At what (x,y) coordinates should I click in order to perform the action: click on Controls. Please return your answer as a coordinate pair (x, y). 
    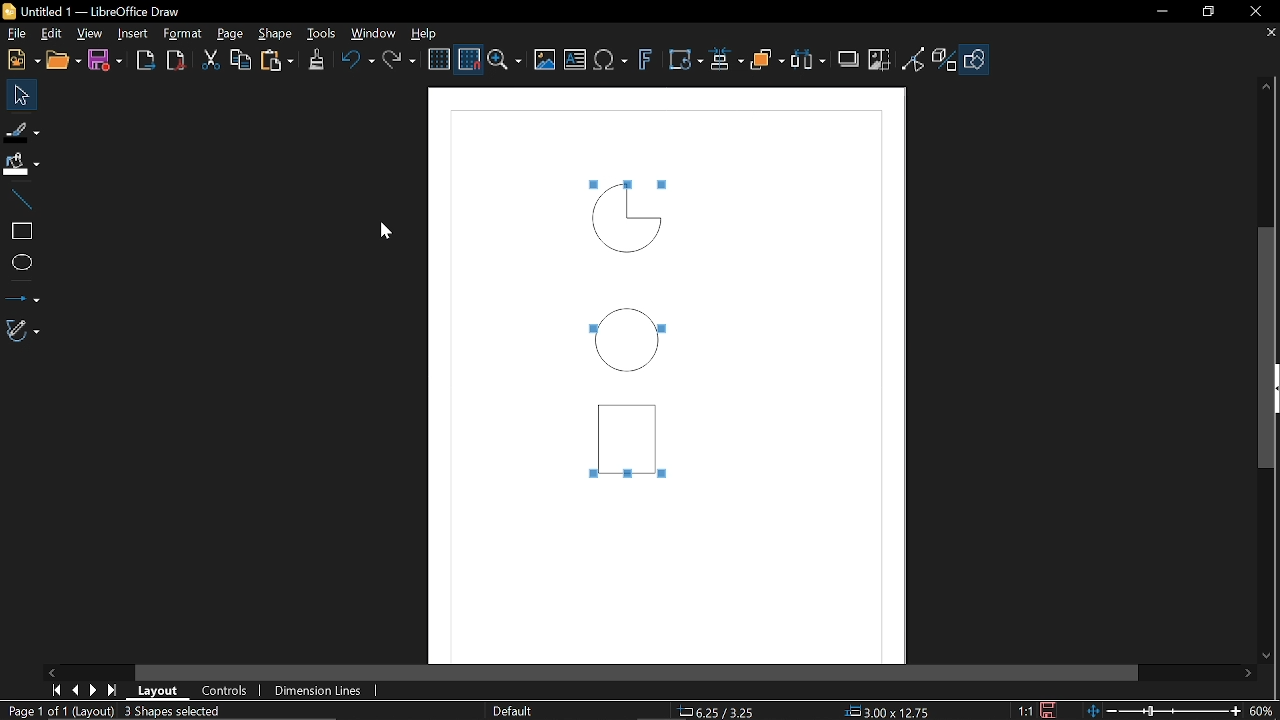
    Looking at the image, I should click on (225, 690).